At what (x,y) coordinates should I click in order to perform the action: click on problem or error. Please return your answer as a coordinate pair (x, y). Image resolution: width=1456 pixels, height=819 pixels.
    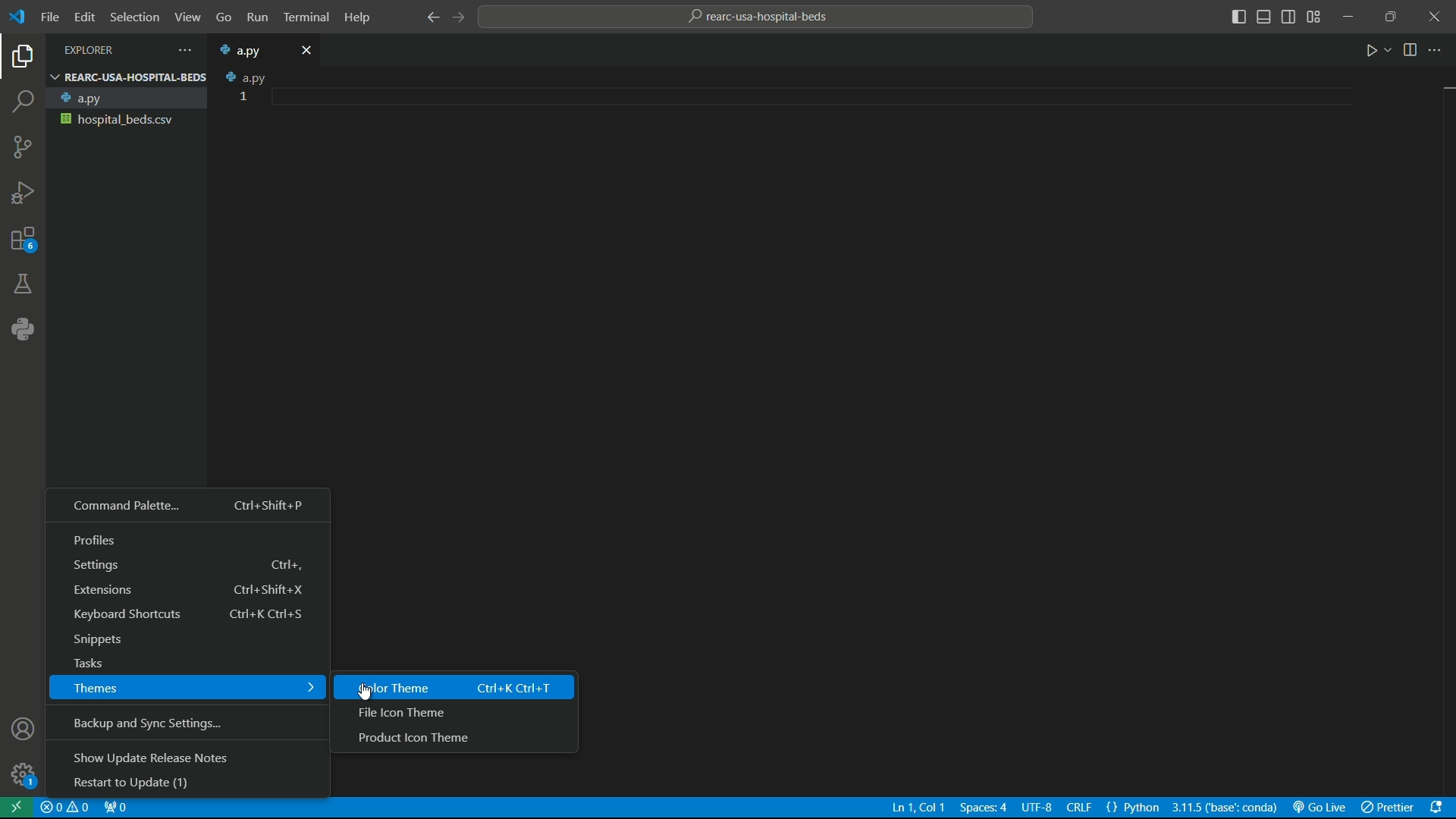
    Looking at the image, I should click on (66, 808).